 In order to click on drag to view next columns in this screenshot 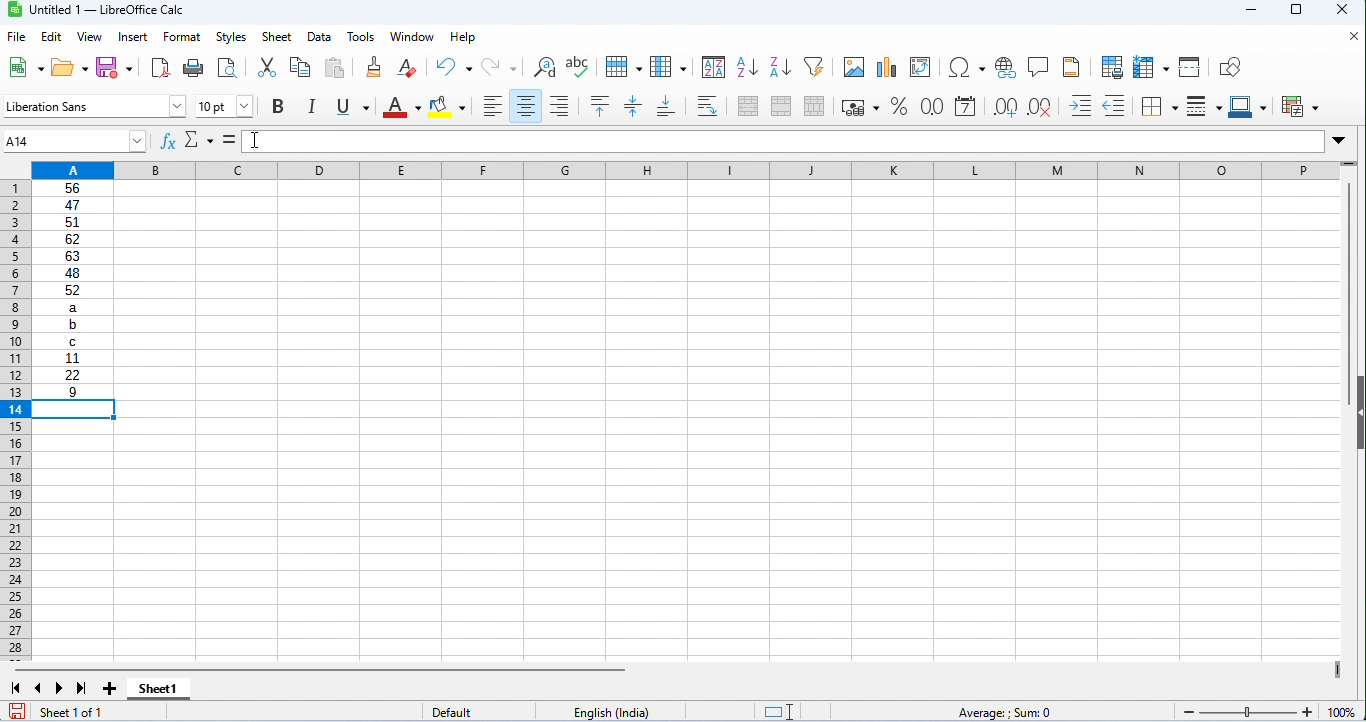, I will do `click(1339, 670)`.